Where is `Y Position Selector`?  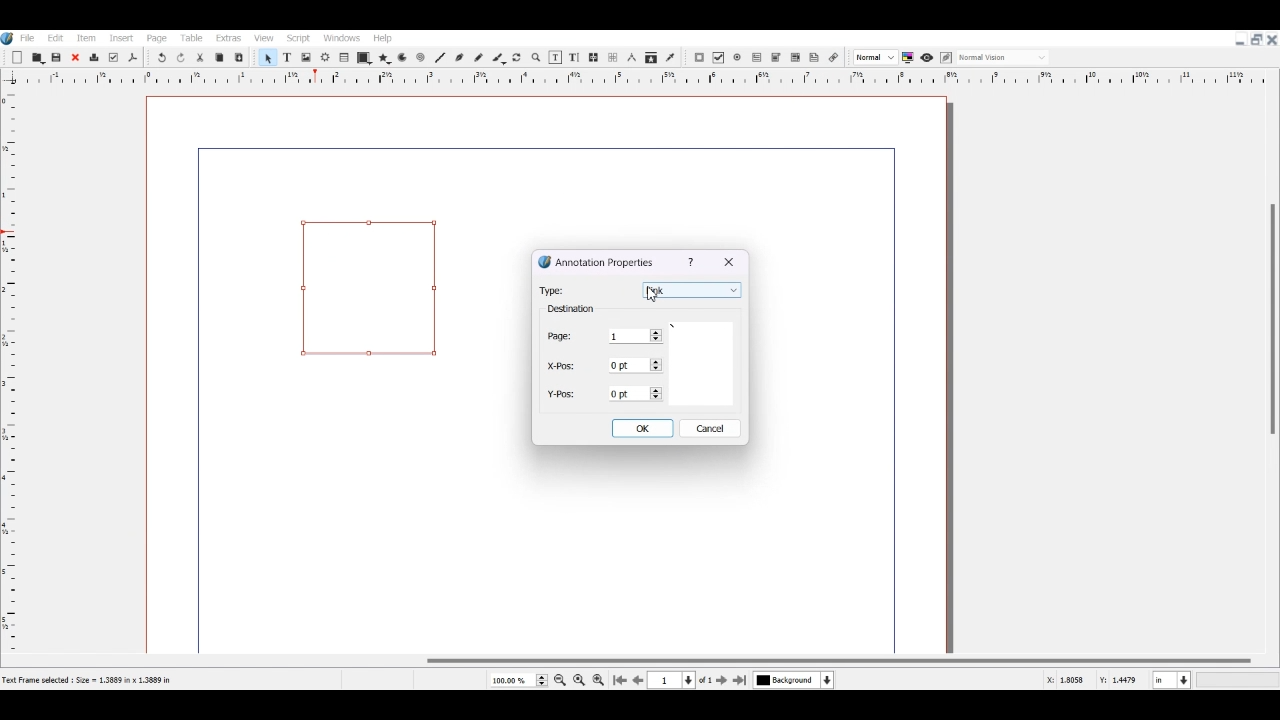 Y Position Selector is located at coordinates (605, 393).